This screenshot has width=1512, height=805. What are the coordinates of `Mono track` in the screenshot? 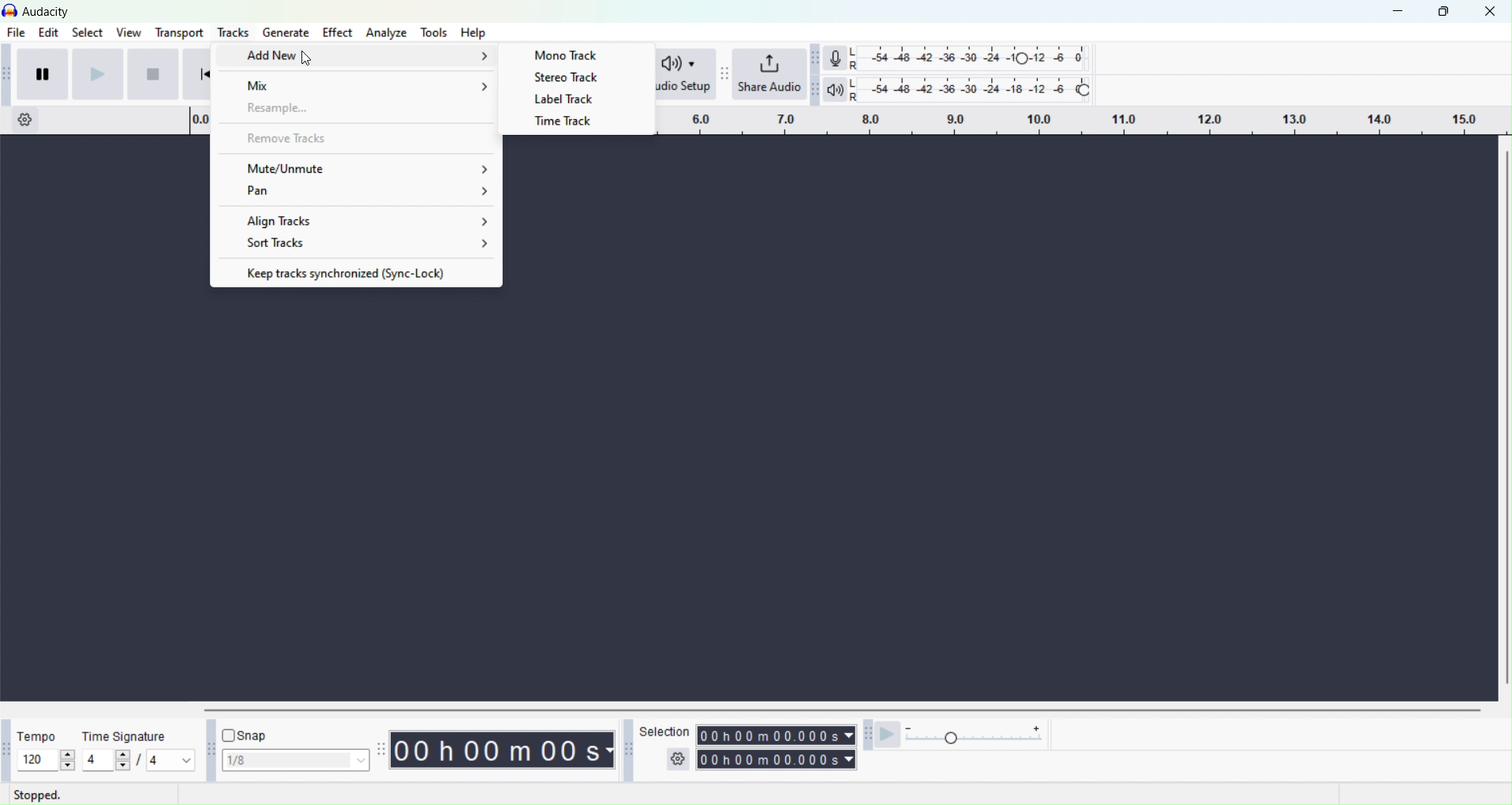 It's located at (574, 54).